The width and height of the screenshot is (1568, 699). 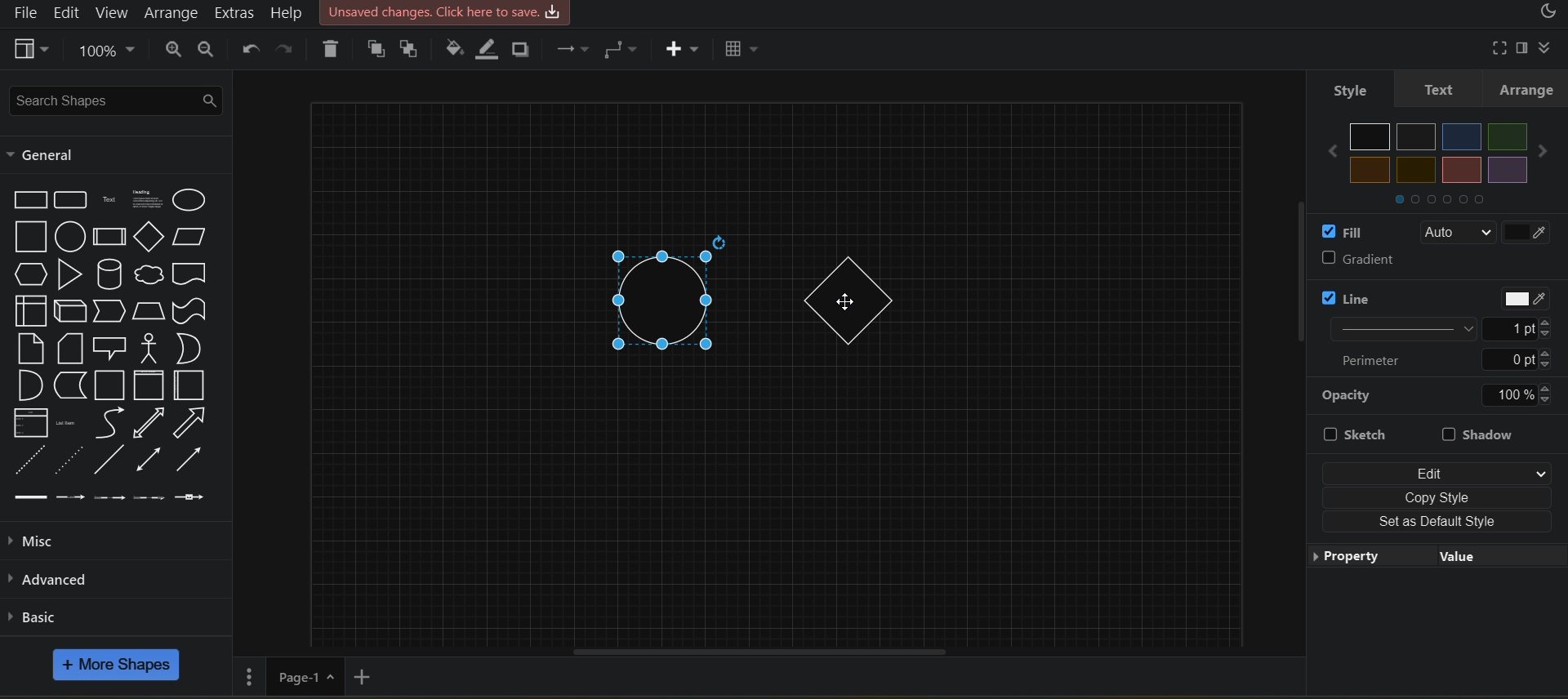 I want to click on Sketch, so click(x=1365, y=438).